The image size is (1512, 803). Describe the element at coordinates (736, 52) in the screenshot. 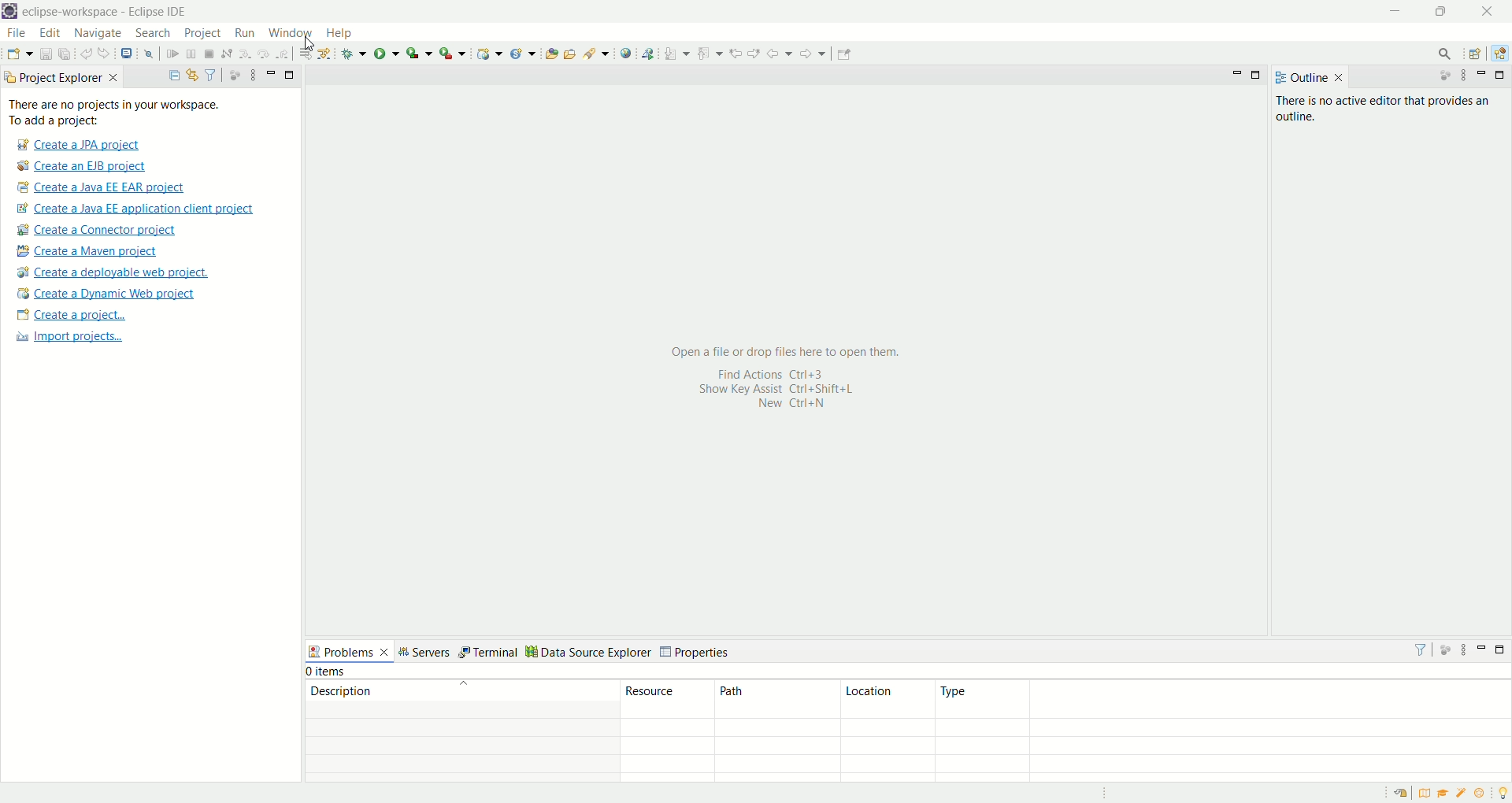

I see `previous edit location` at that location.